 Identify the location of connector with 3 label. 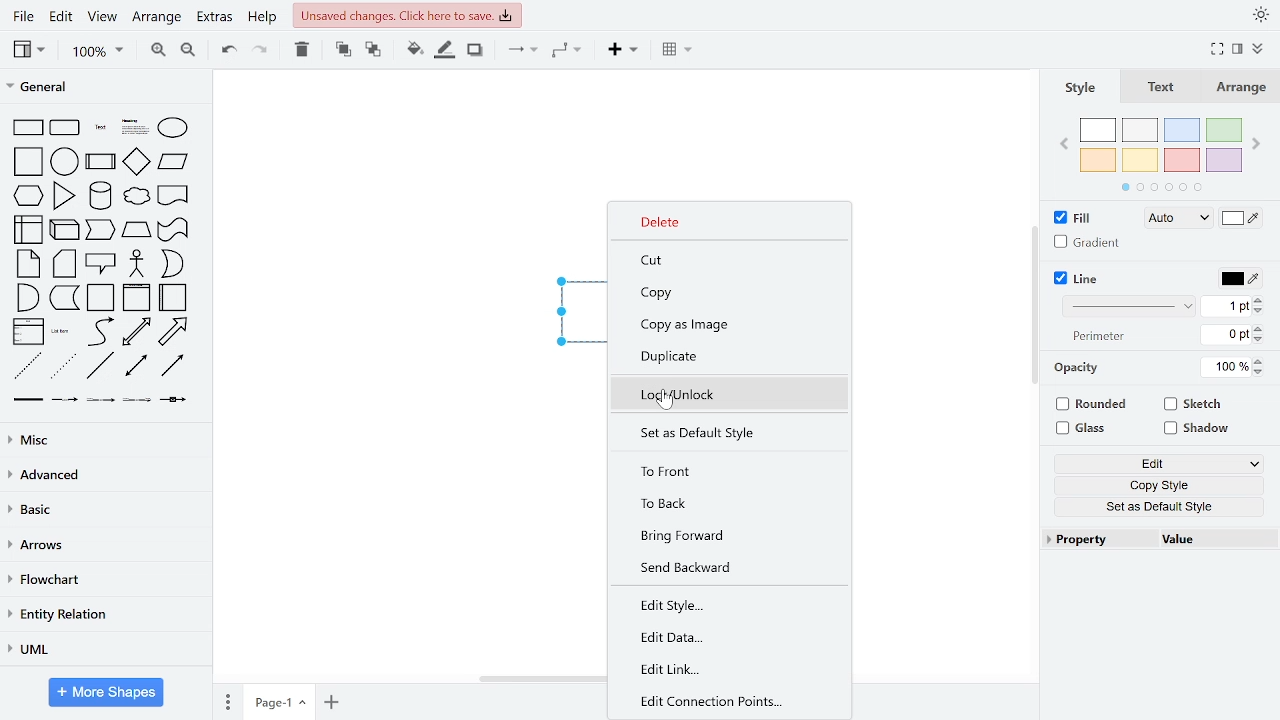
(137, 400).